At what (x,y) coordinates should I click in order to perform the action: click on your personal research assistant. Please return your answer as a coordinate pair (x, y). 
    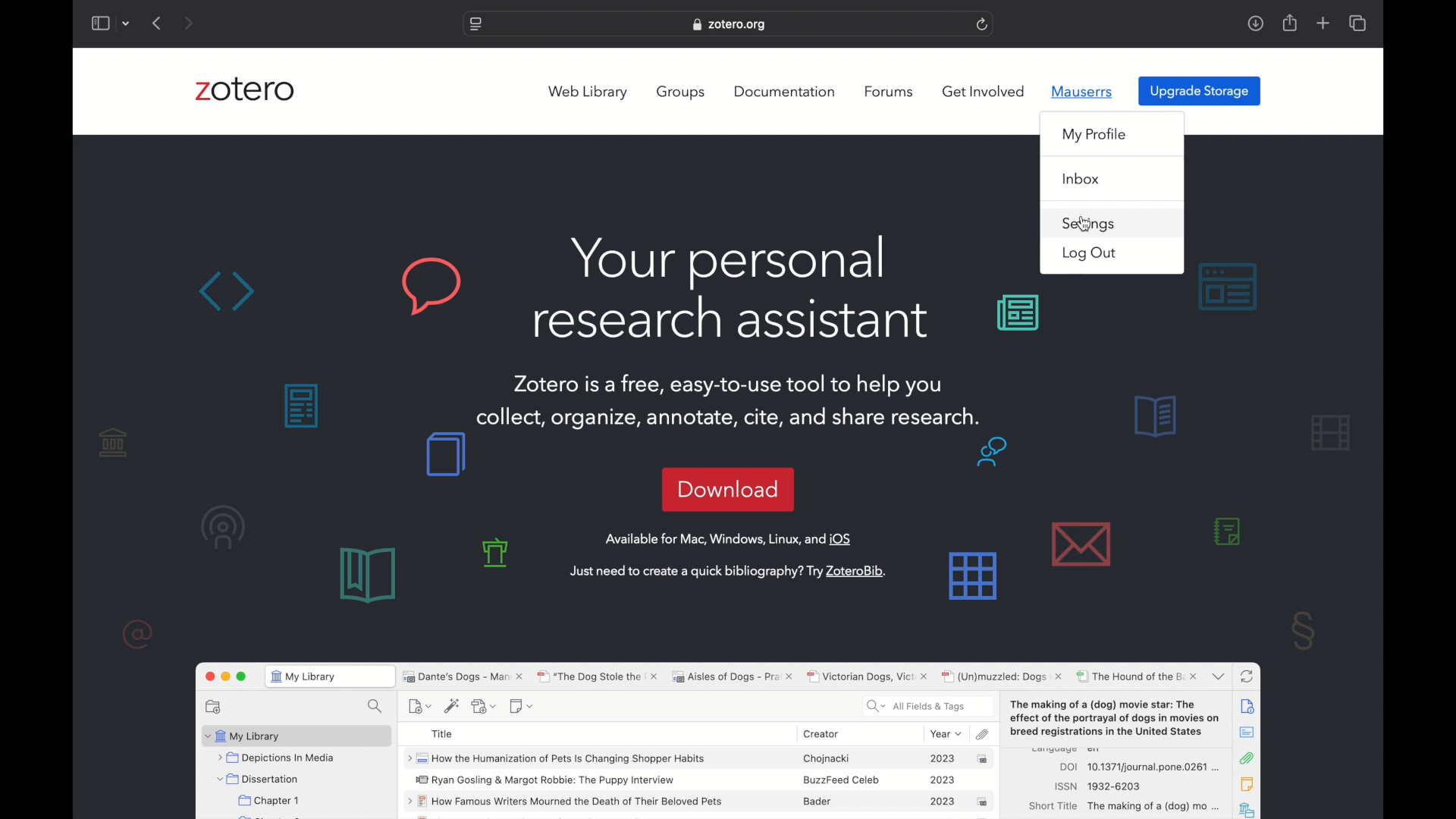
    Looking at the image, I should click on (733, 289).